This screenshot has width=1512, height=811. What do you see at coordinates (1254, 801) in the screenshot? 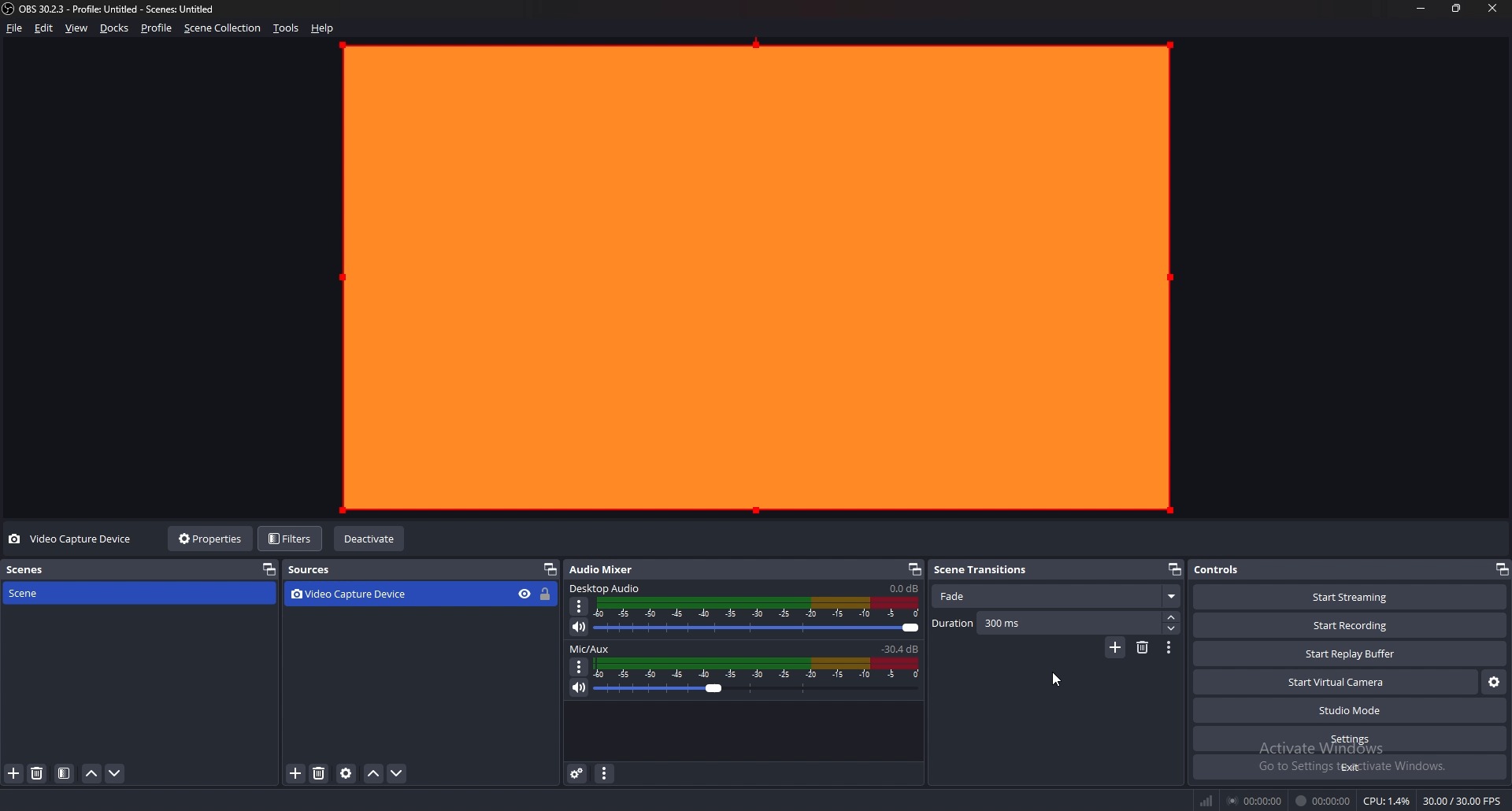
I see `00:00:00` at bounding box center [1254, 801].